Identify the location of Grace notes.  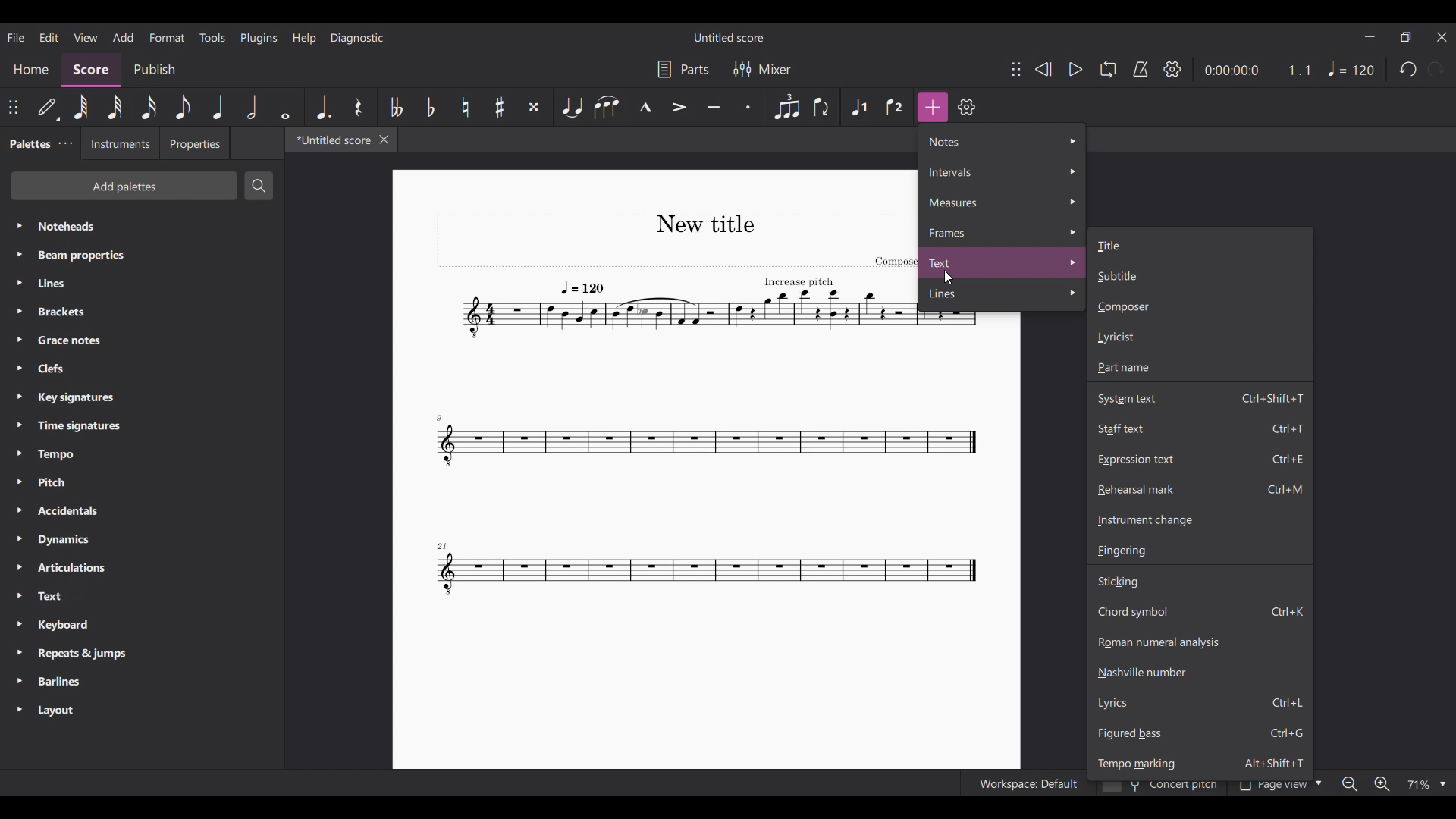
(141, 340).